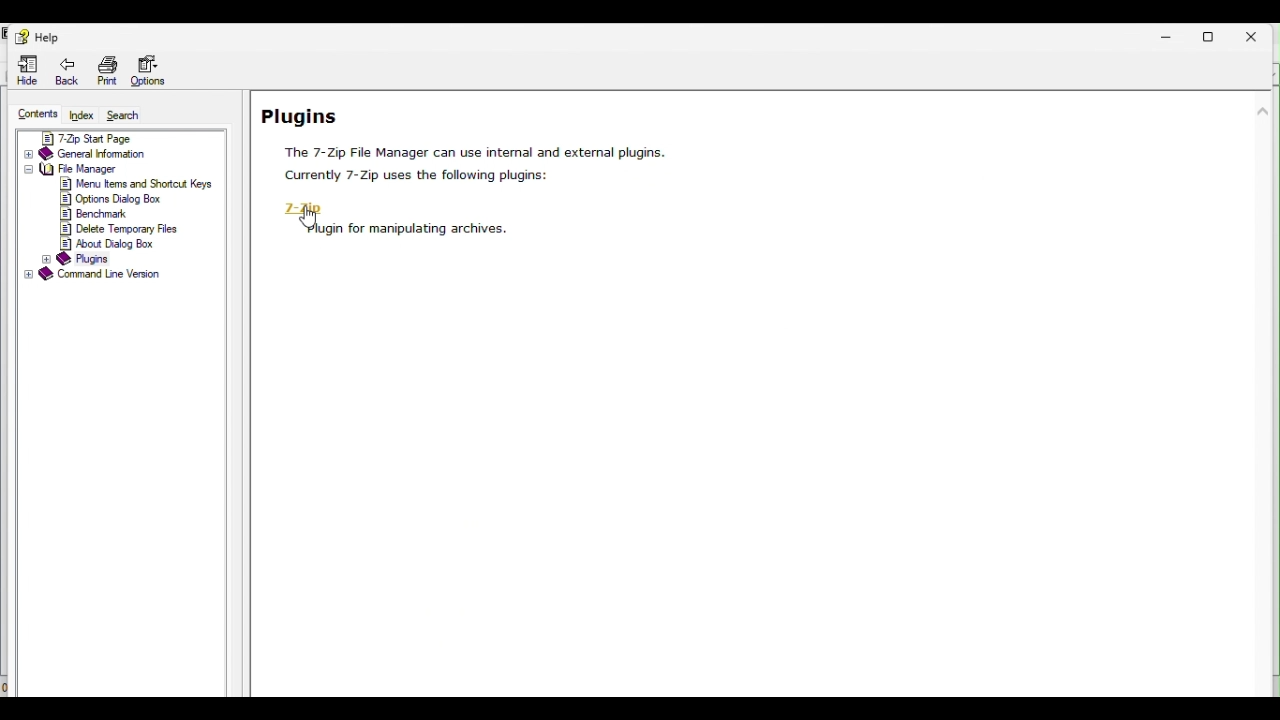 Image resolution: width=1280 pixels, height=720 pixels. What do you see at coordinates (121, 153) in the screenshot?
I see `General information` at bounding box center [121, 153].